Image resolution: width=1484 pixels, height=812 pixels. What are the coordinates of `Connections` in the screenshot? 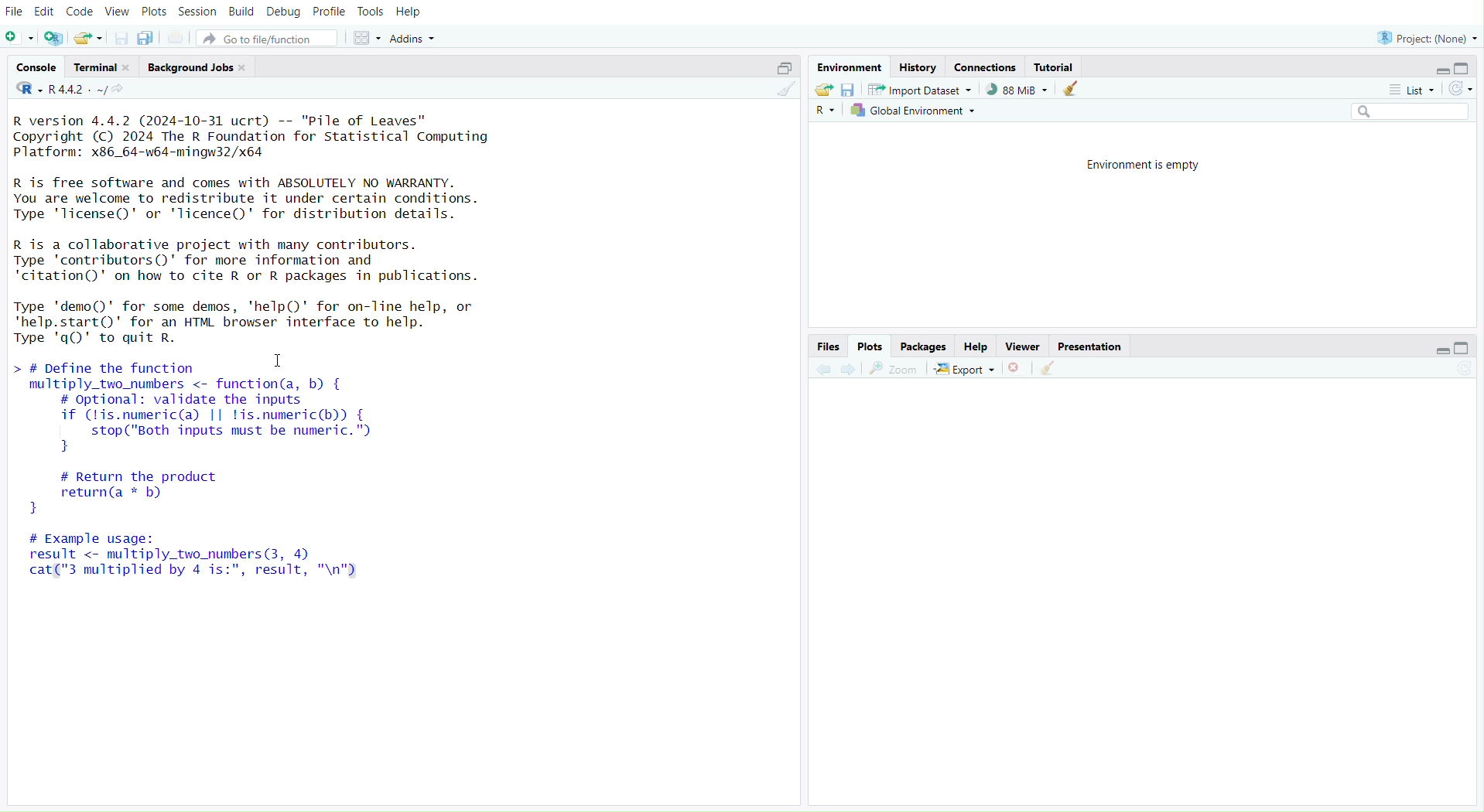 It's located at (986, 67).